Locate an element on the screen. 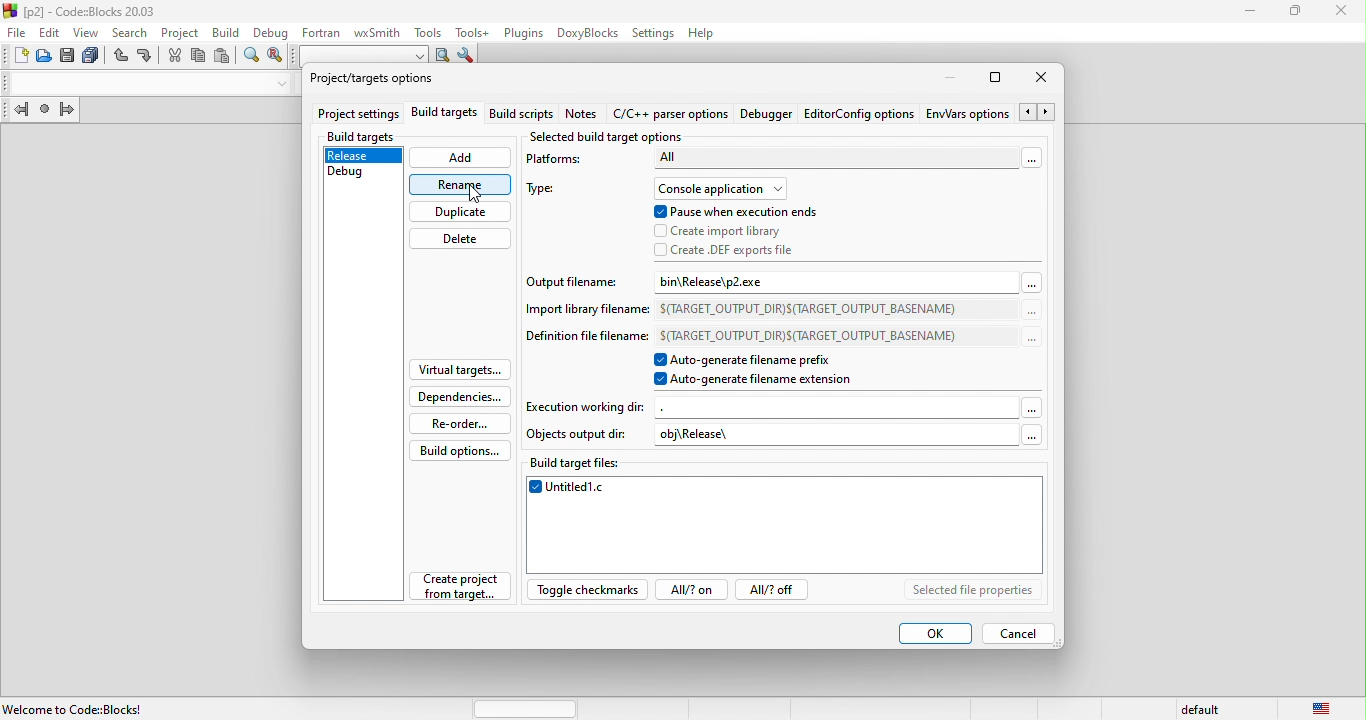  project\target option is located at coordinates (372, 80).